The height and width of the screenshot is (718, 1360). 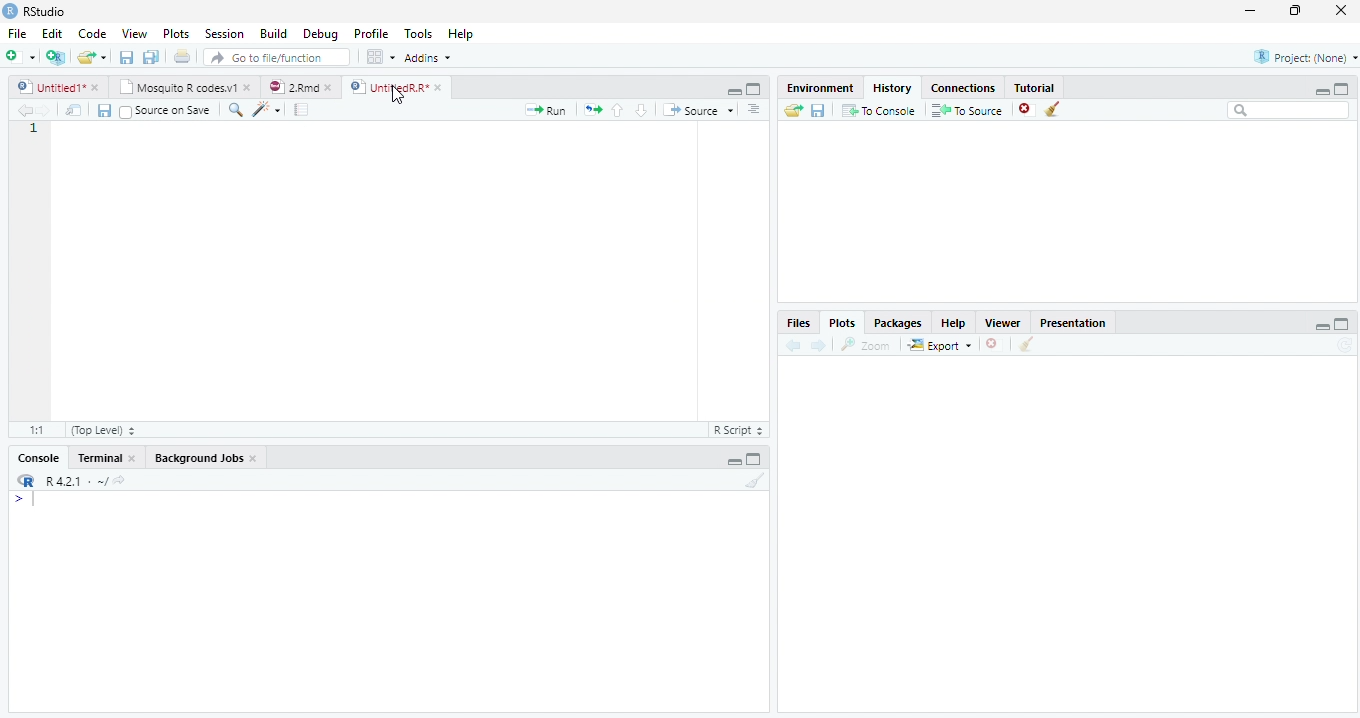 What do you see at coordinates (641, 110) in the screenshot?
I see `Go to the next section` at bounding box center [641, 110].